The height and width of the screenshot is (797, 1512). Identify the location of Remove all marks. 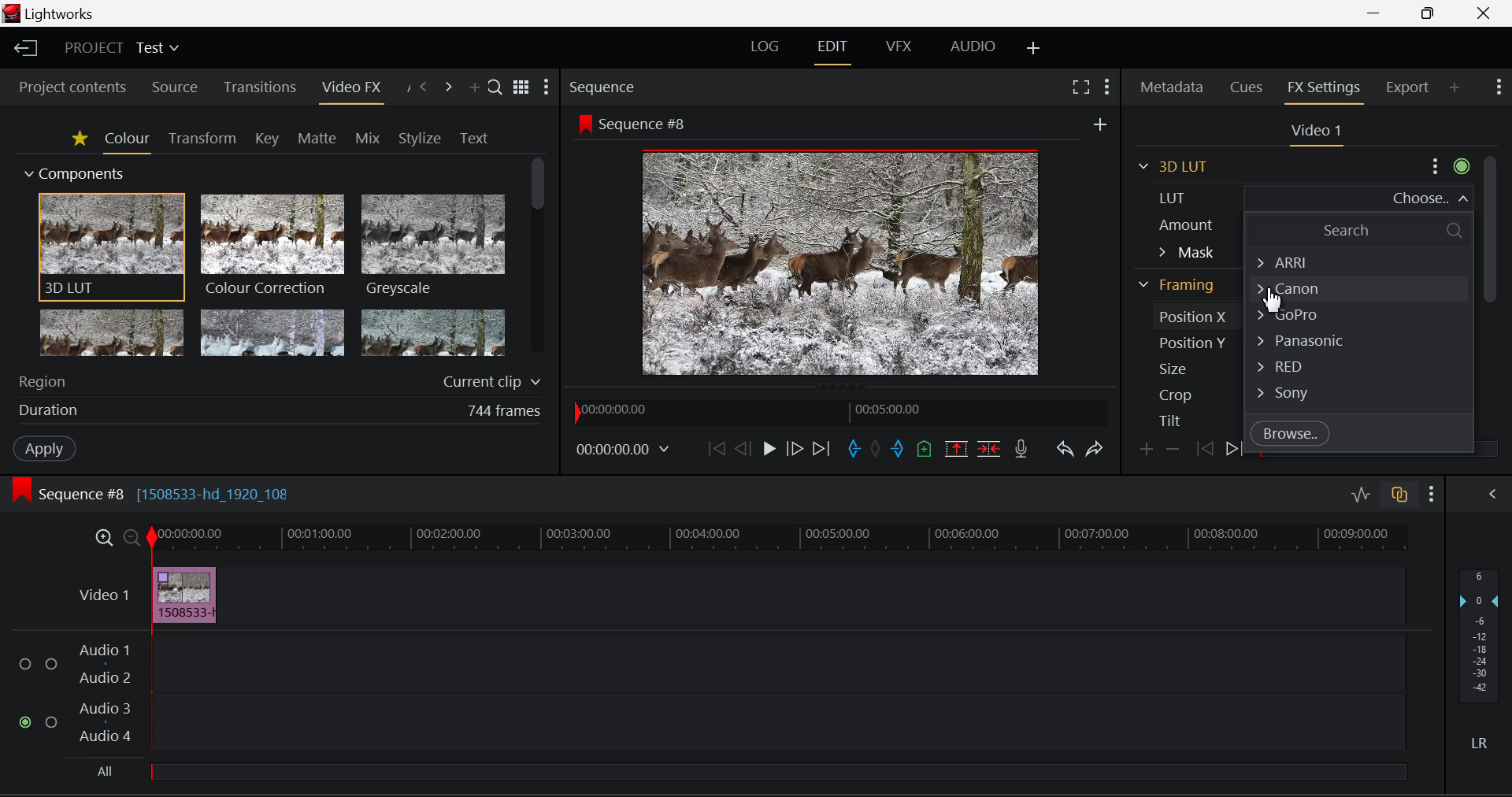
(877, 451).